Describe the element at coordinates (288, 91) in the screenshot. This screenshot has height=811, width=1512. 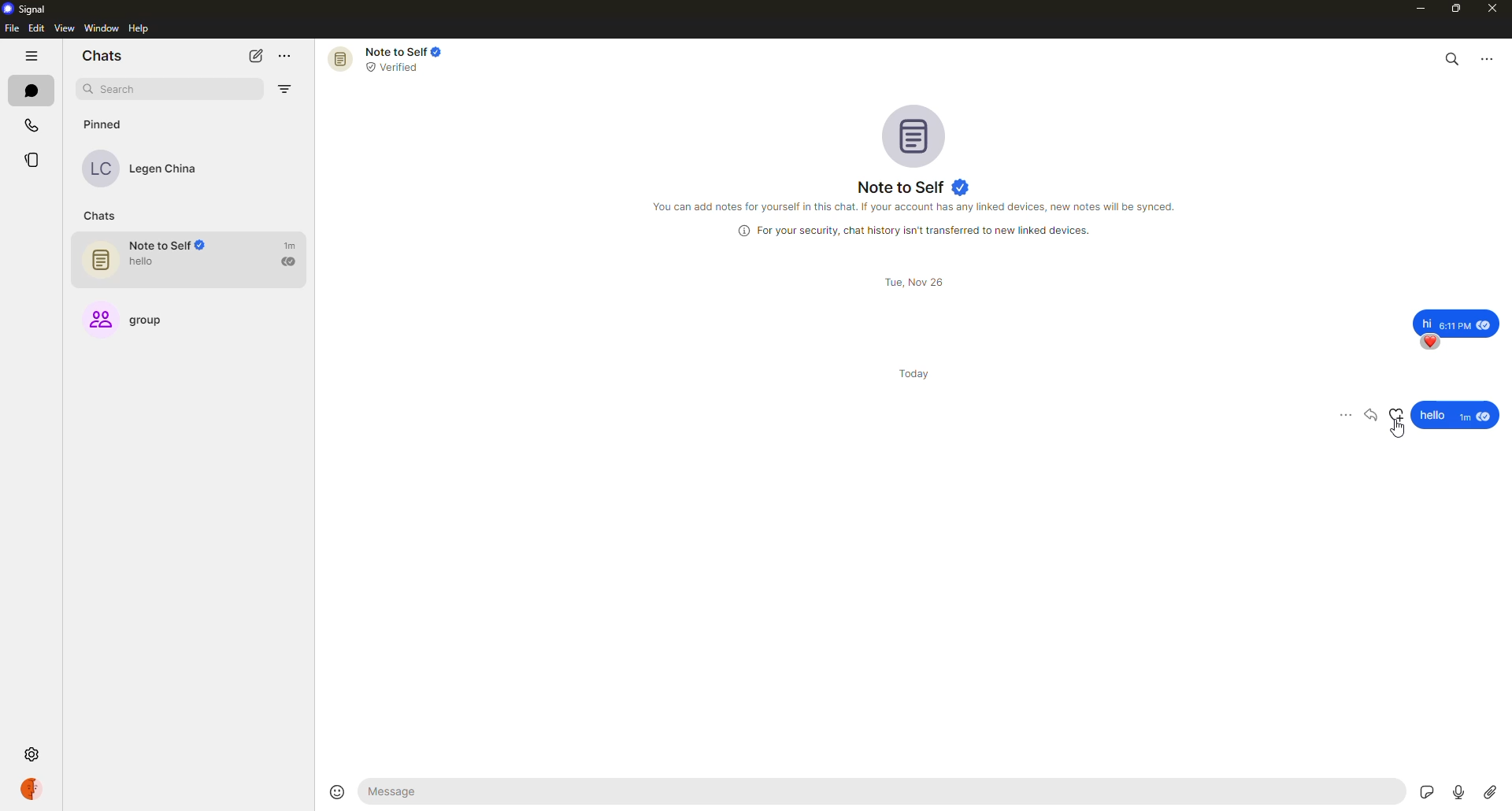
I see `filter` at that location.